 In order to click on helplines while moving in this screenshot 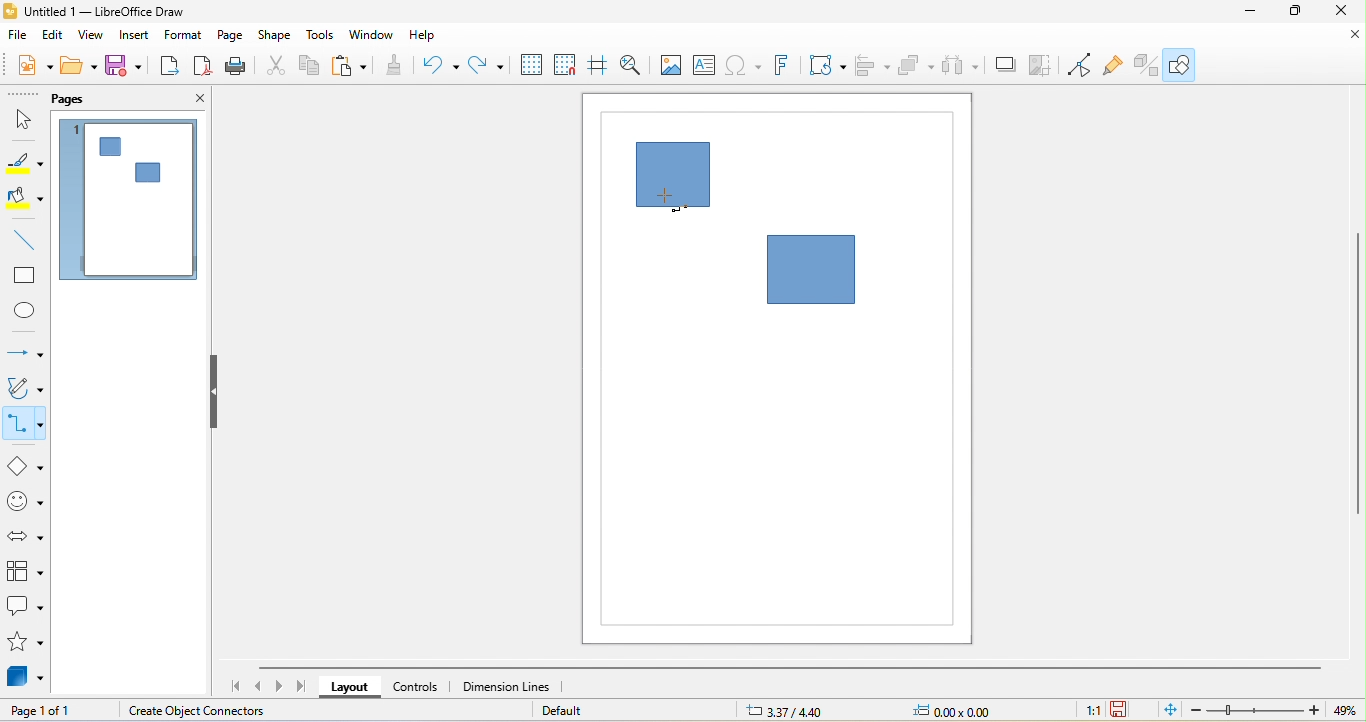, I will do `click(601, 64)`.